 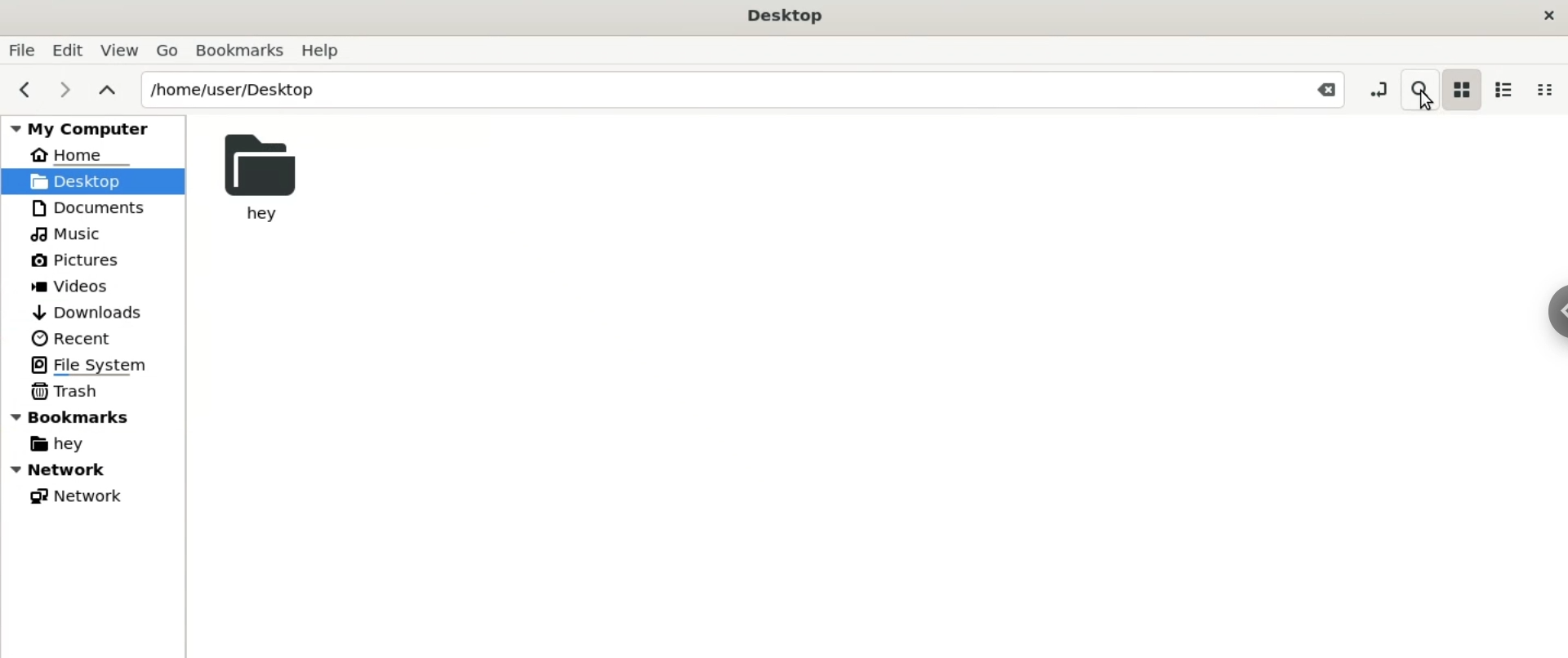 I want to click on Sidebar, so click(x=1548, y=313).